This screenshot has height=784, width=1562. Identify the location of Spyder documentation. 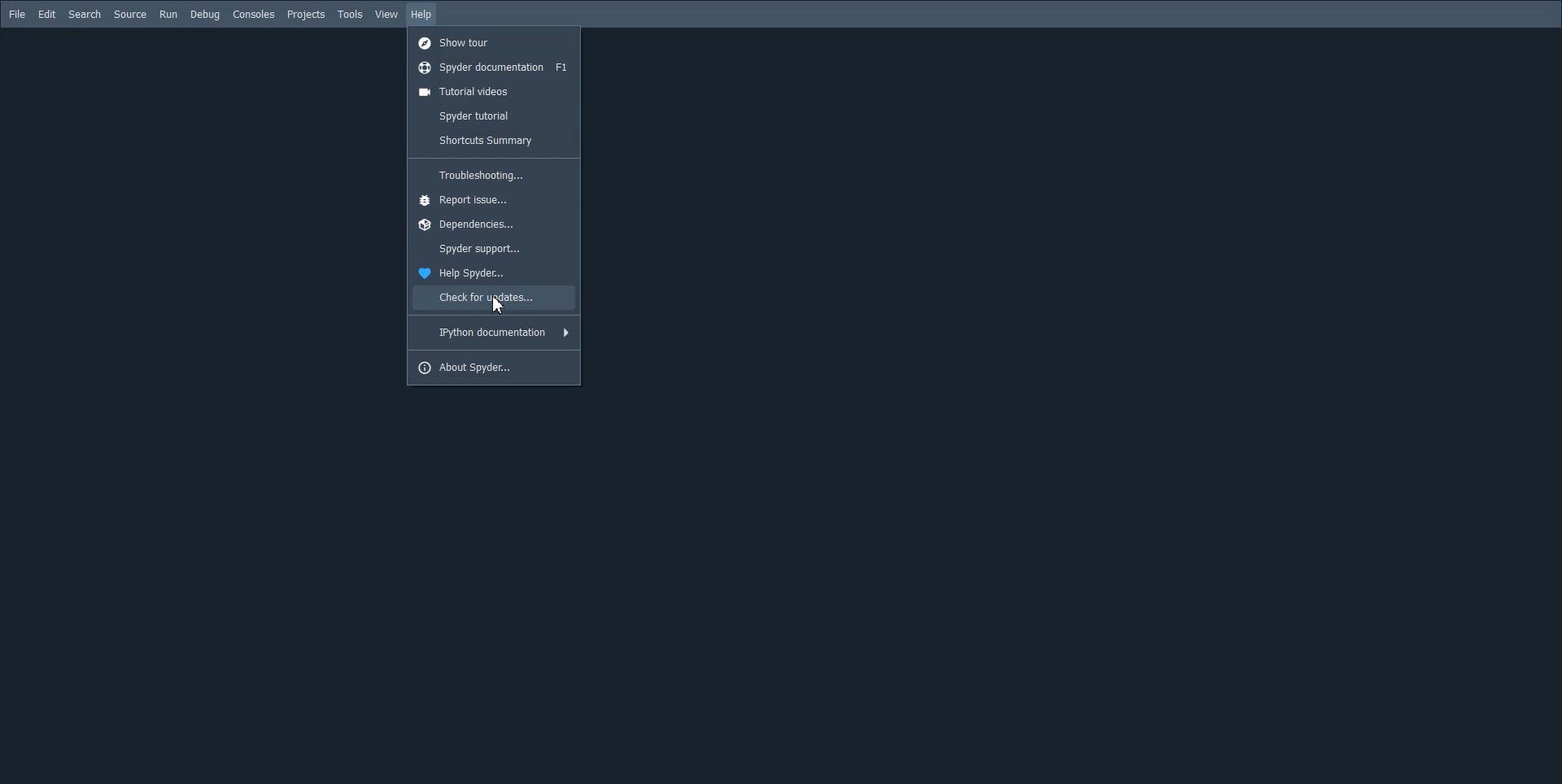
(494, 68).